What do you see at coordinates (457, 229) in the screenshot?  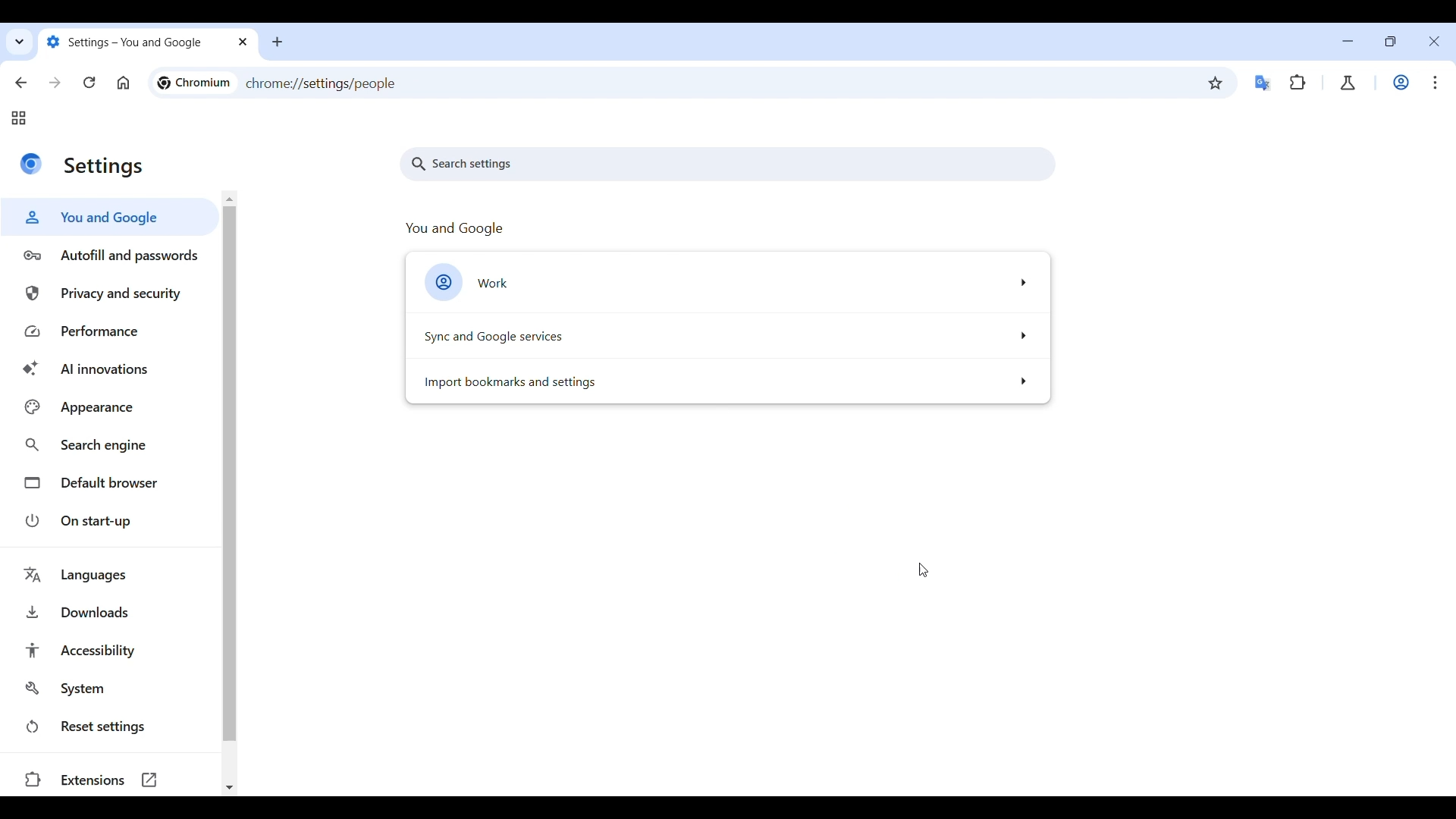 I see `you and google` at bounding box center [457, 229].